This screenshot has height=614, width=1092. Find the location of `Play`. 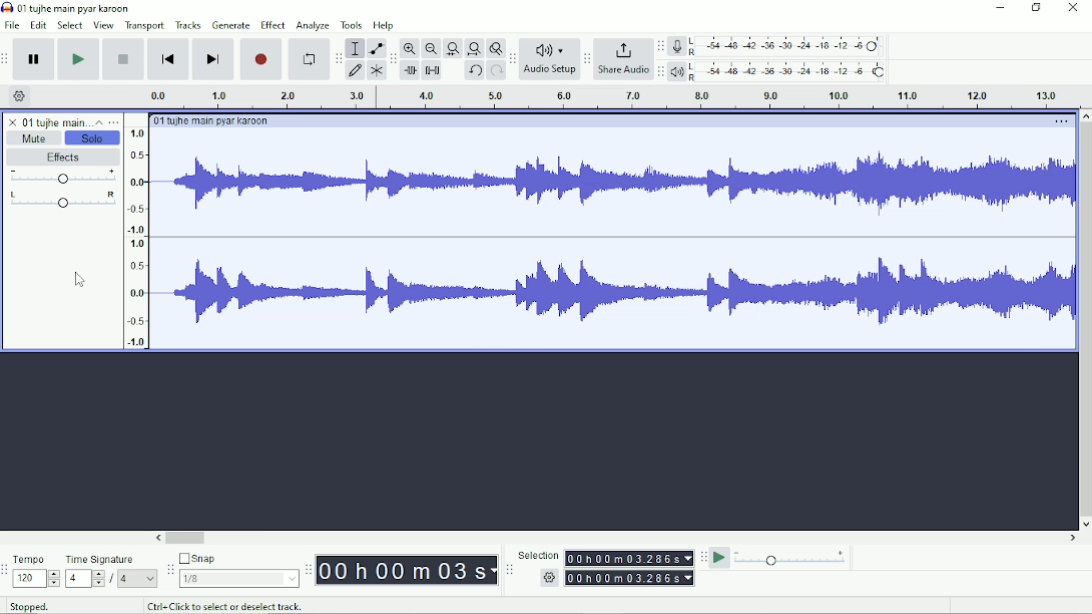

Play is located at coordinates (78, 58).